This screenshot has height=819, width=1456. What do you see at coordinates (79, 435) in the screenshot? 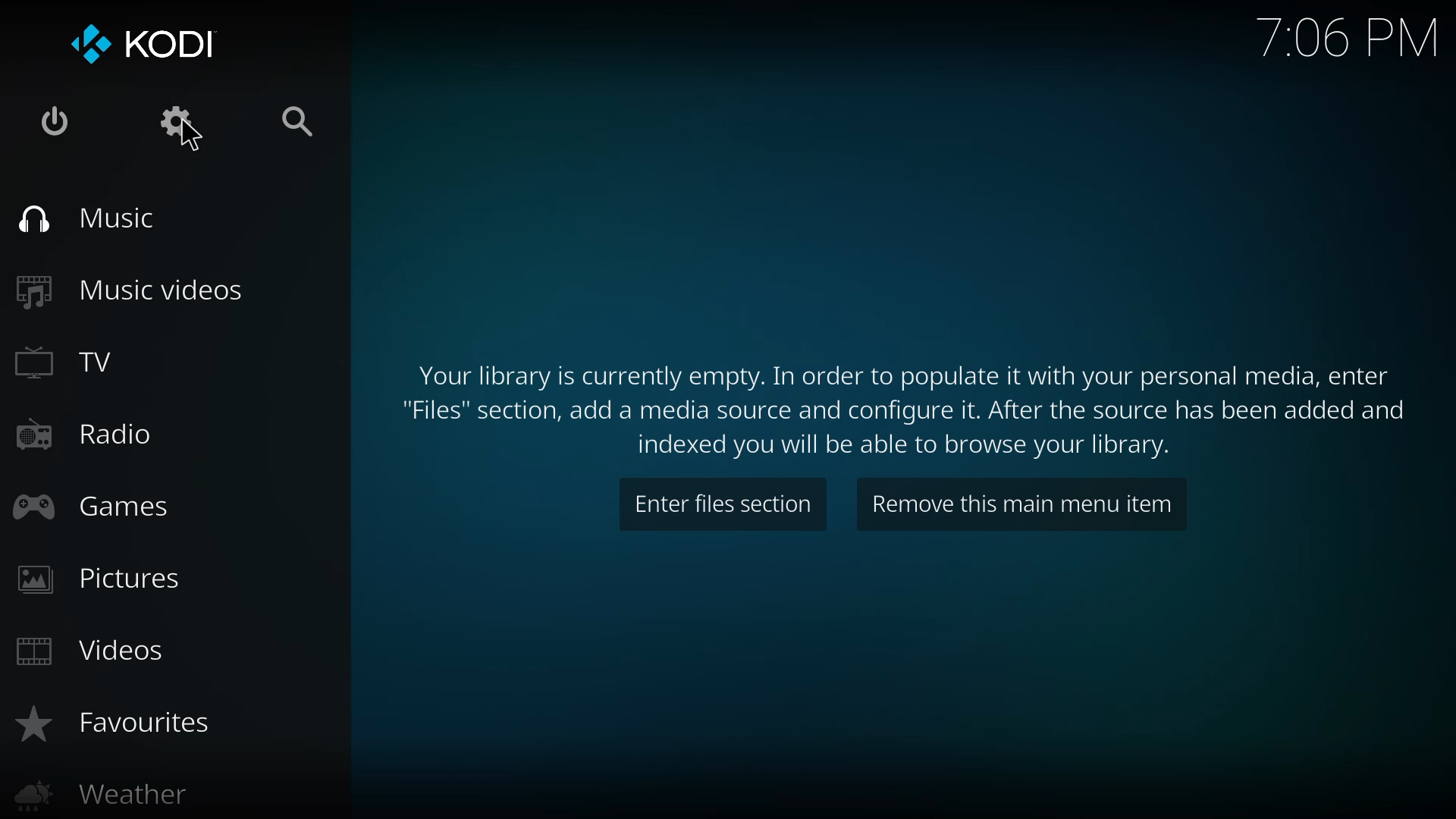
I see `radio` at bounding box center [79, 435].